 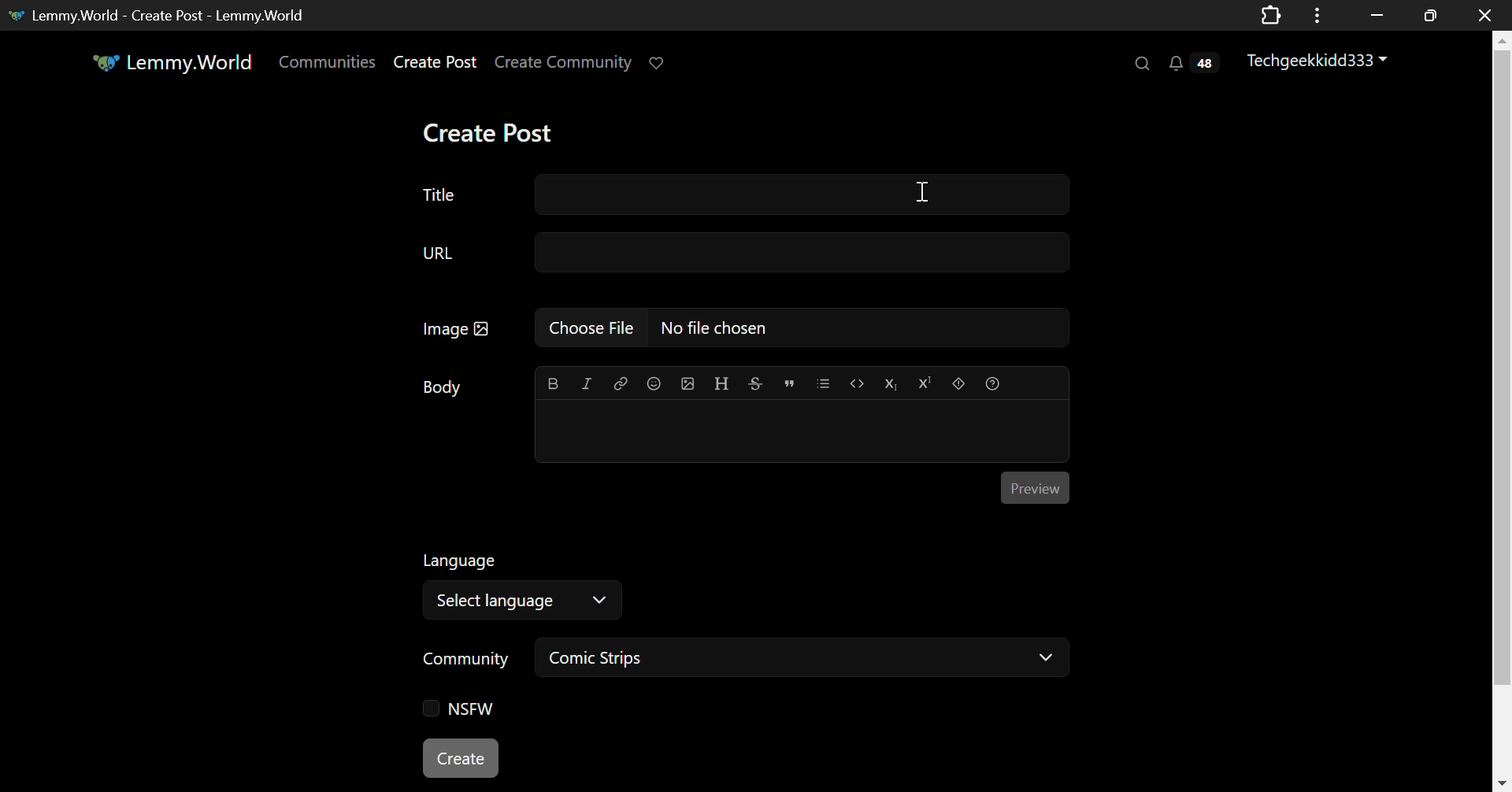 I want to click on Create Community, so click(x=564, y=63).